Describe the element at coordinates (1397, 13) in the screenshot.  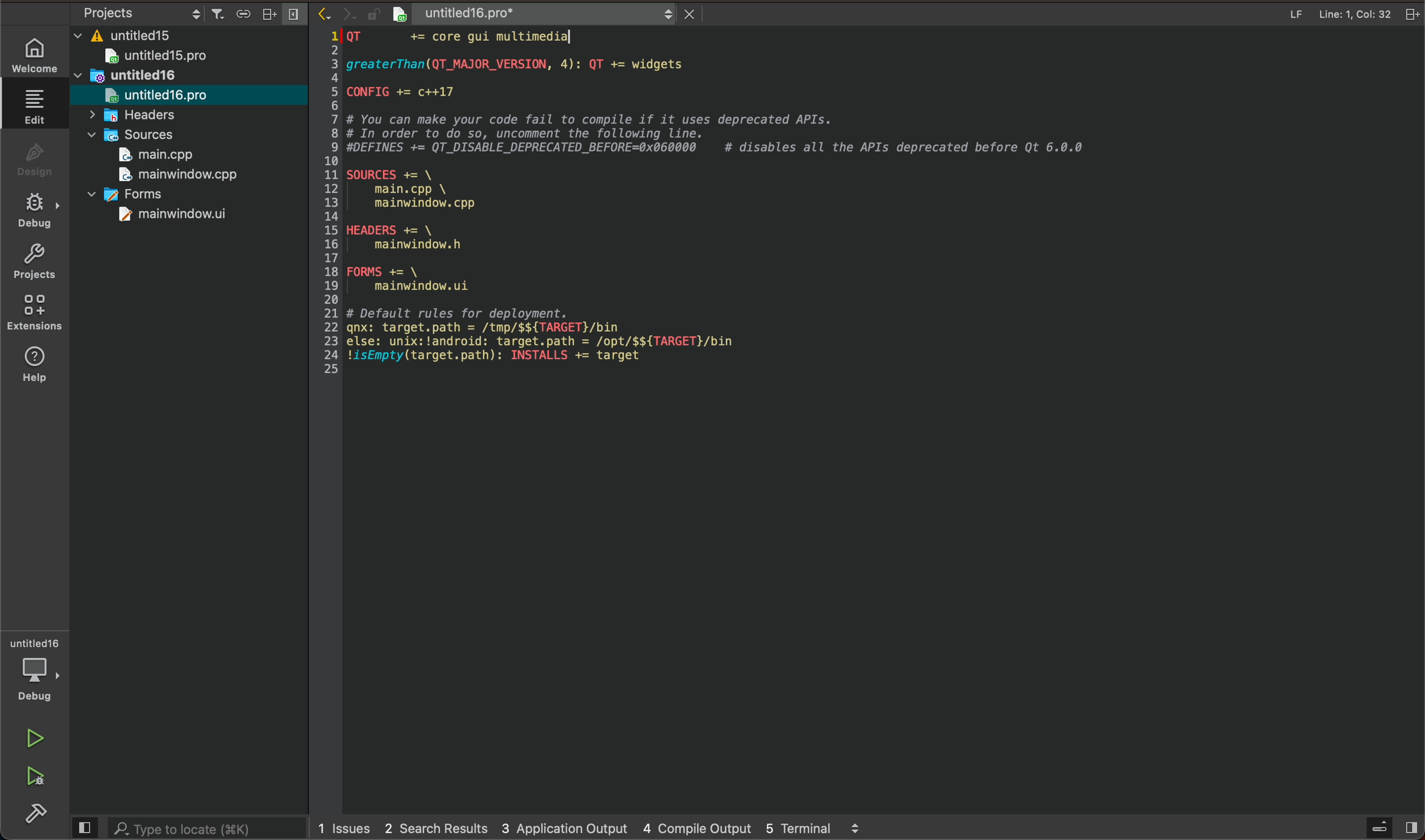
I see `` at that location.